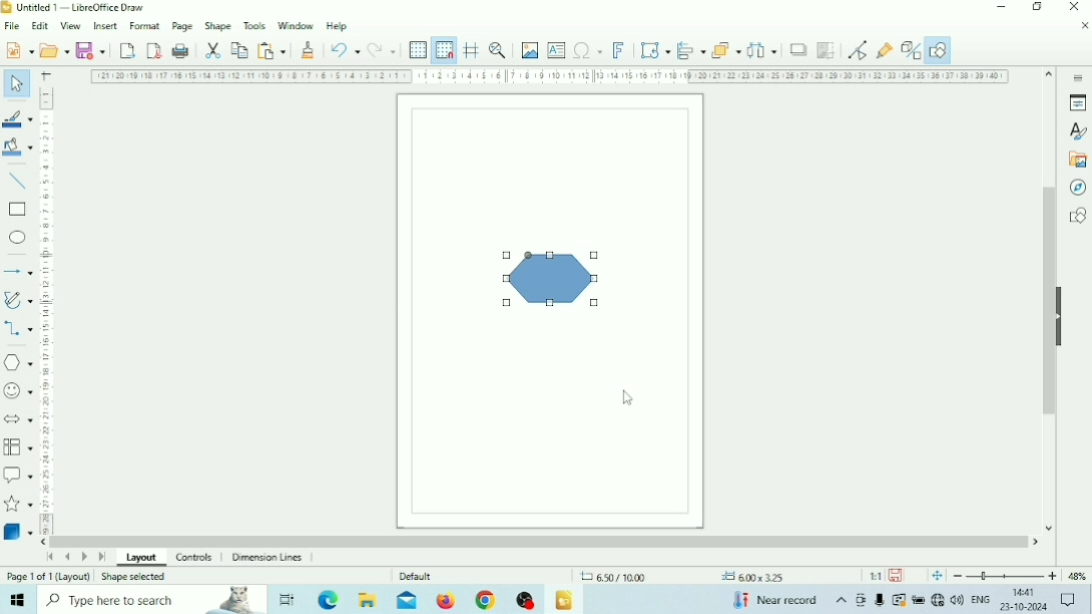 This screenshot has height=614, width=1092. Describe the element at coordinates (18, 599) in the screenshot. I see `Windows` at that location.